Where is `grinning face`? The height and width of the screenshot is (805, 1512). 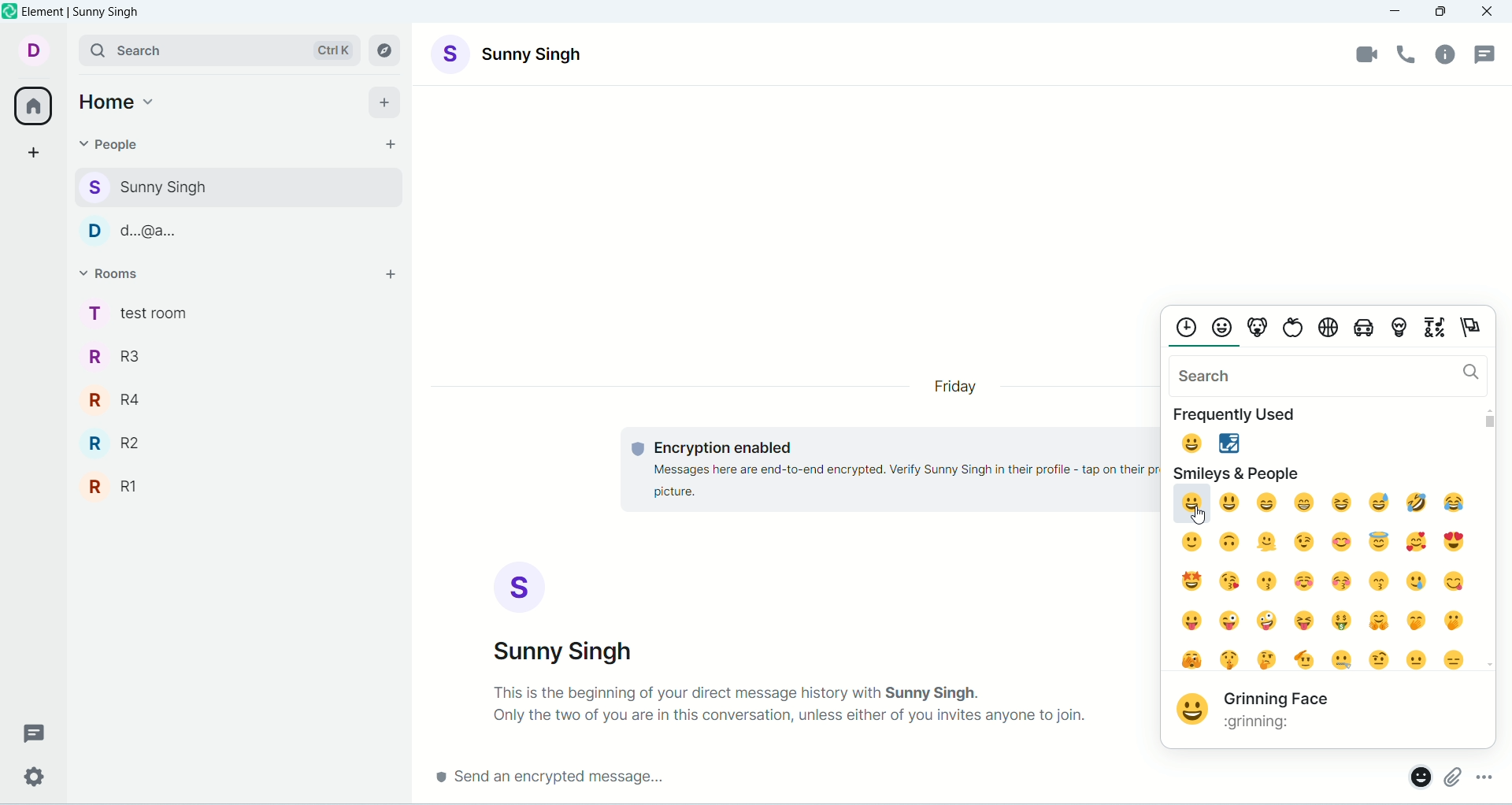 grinning face is located at coordinates (1295, 712).